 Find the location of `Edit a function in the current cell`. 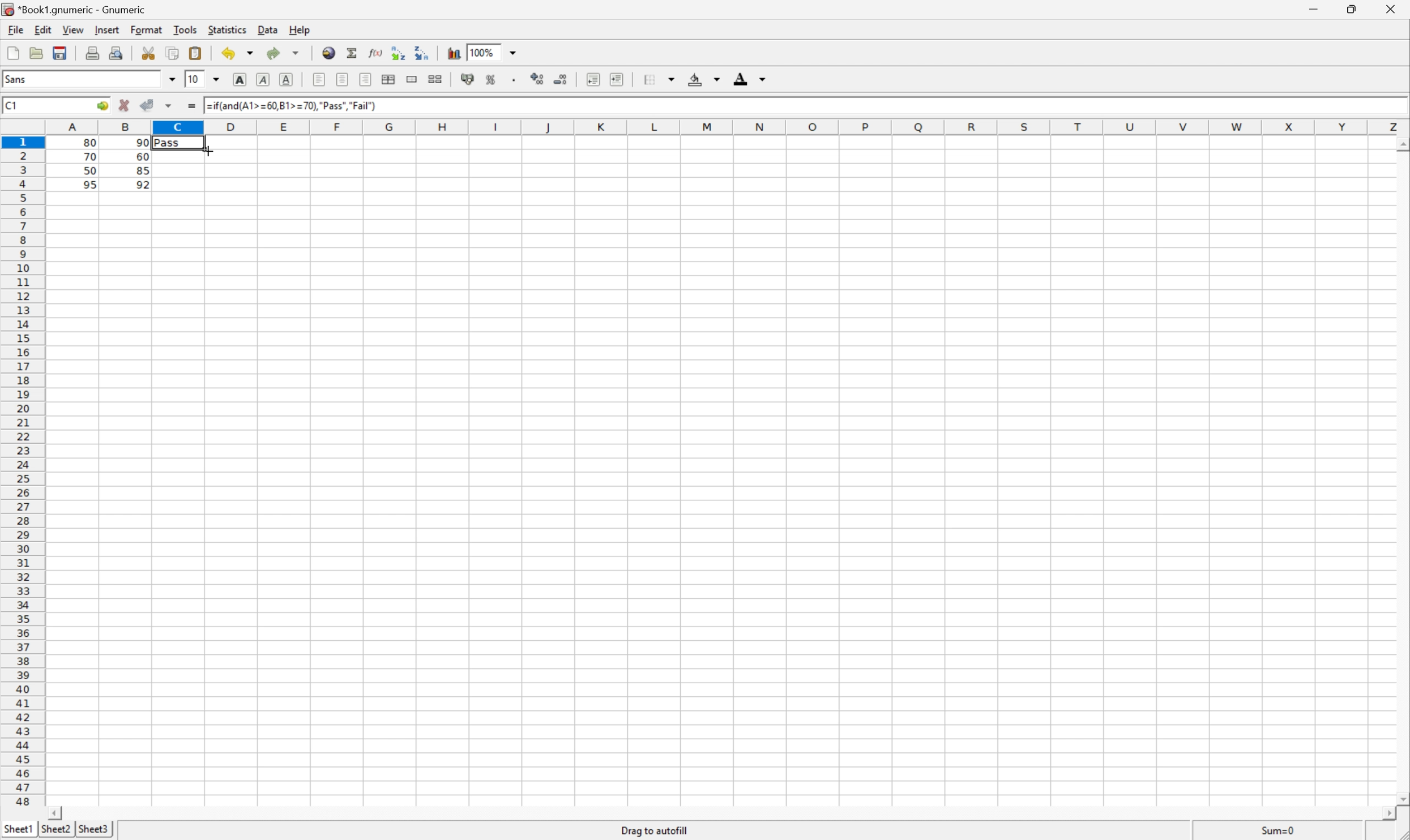

Edit a function in the current cell is located at coordinates (376, 54).